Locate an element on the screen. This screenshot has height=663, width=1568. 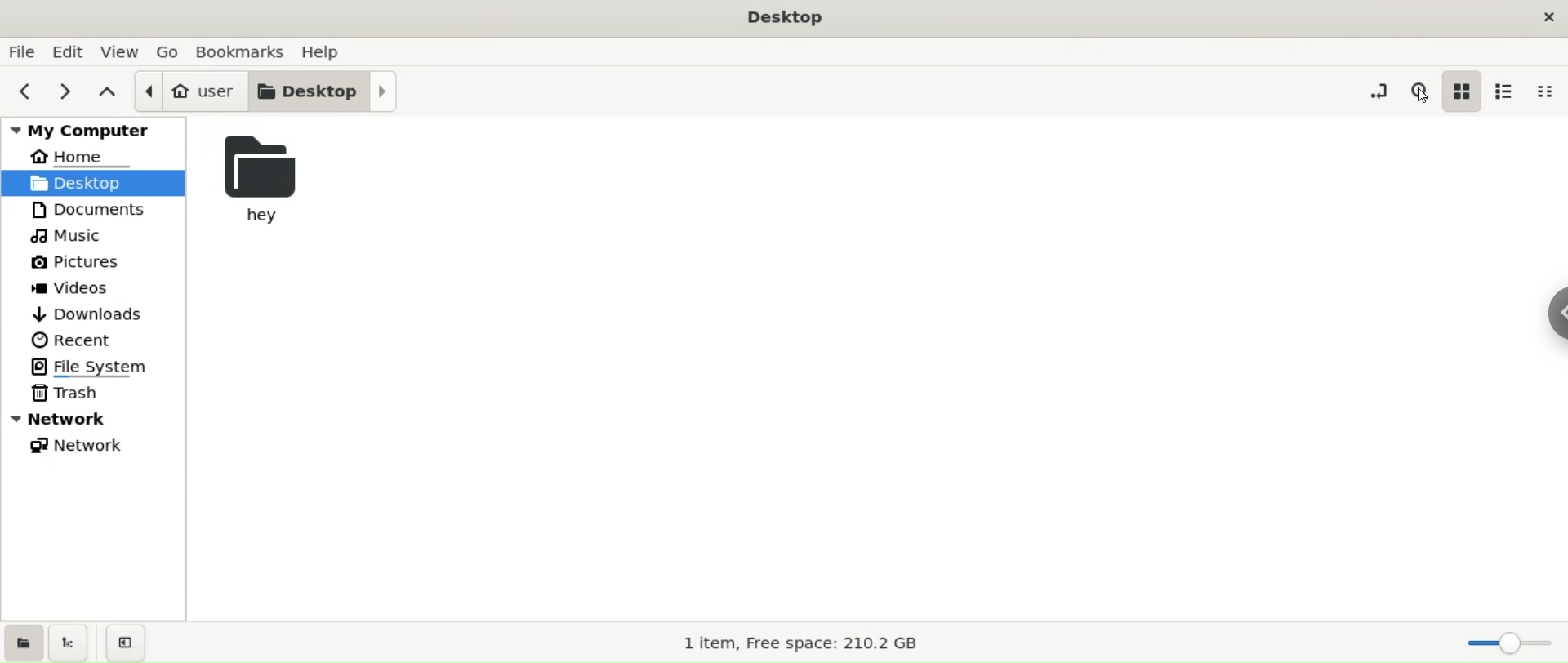
file system is located at coordinates (93, 368).